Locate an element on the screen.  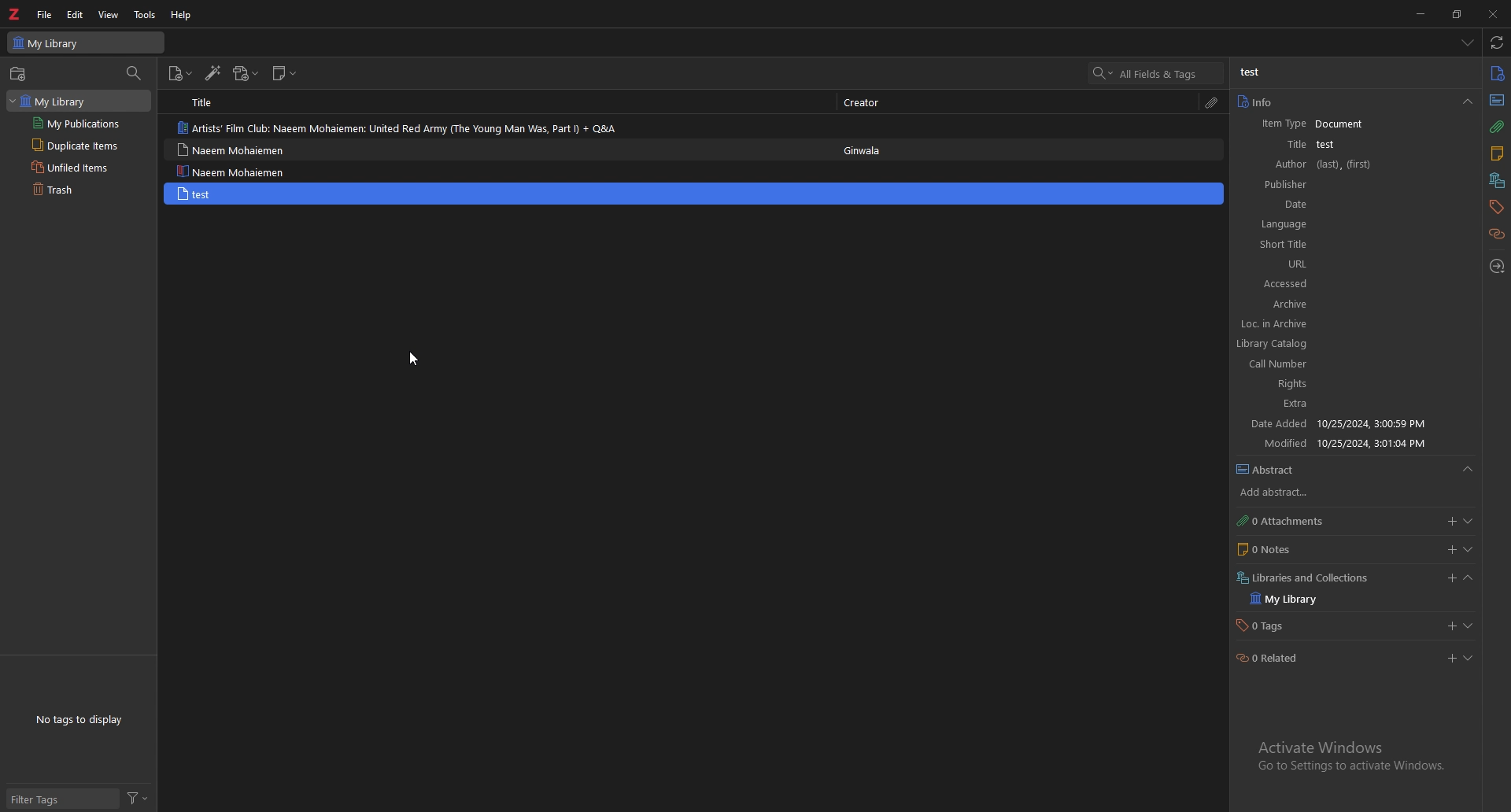
rights input is located at coordinates (1355, 383).